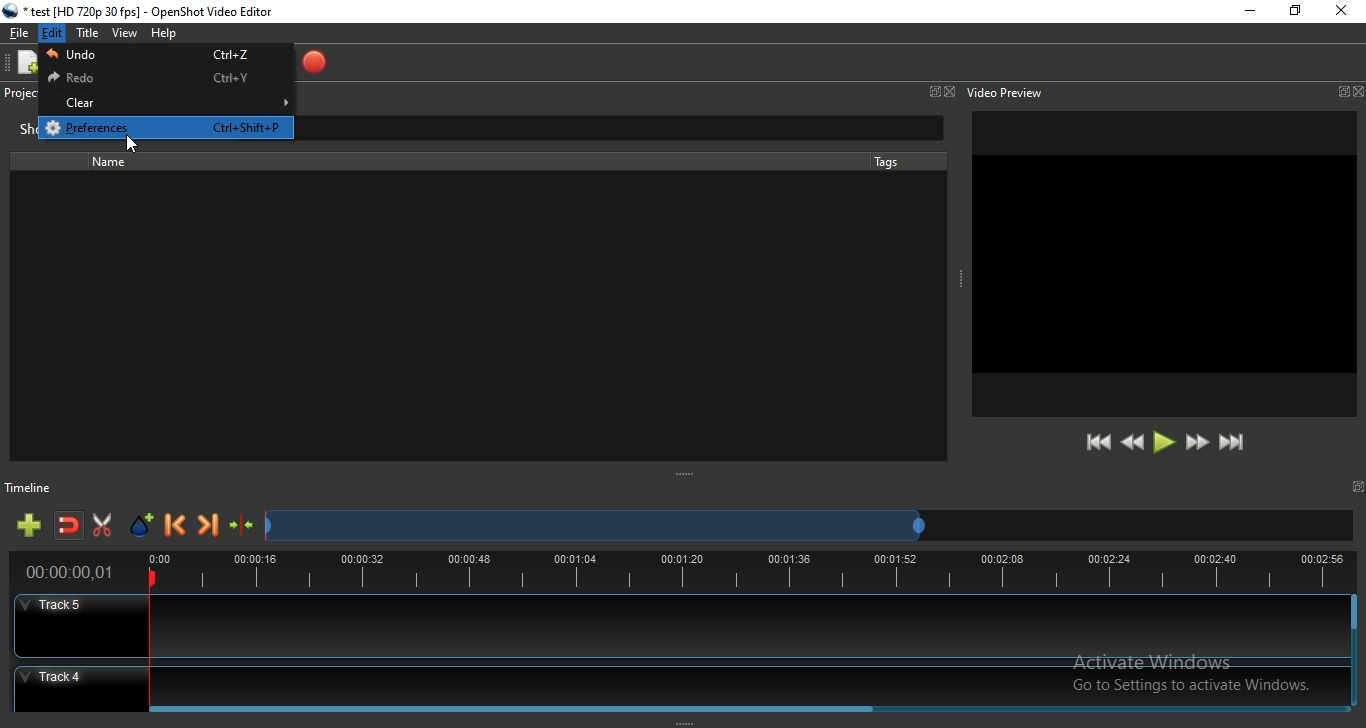 The image size is (1366, 728). What do you see at coordinates (1354, 635) in the screenshot?
I see `vertical scroll bar` at bounding box center [1354, 635].